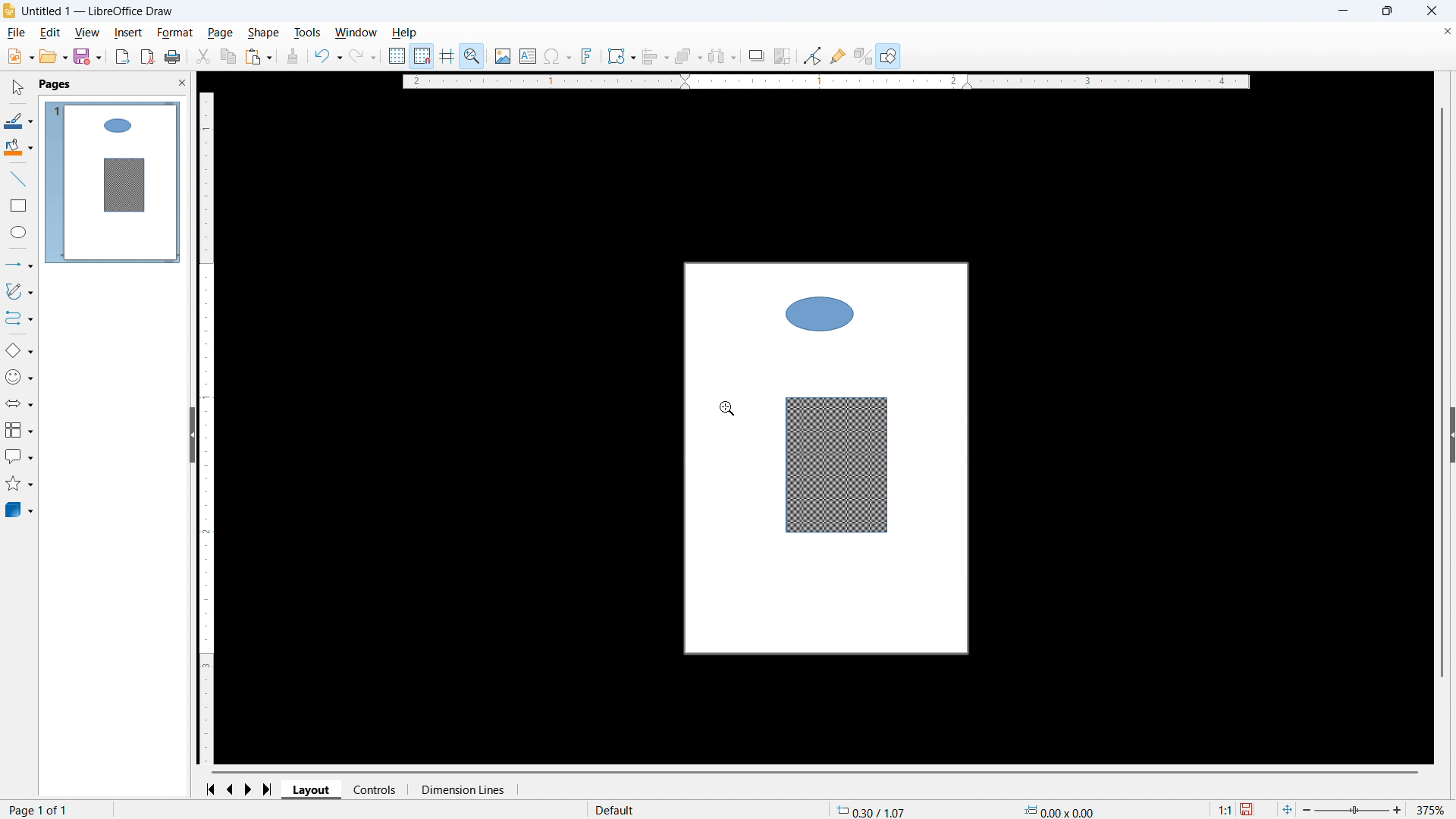  I want to click on Rectangle , so click(19, 206).